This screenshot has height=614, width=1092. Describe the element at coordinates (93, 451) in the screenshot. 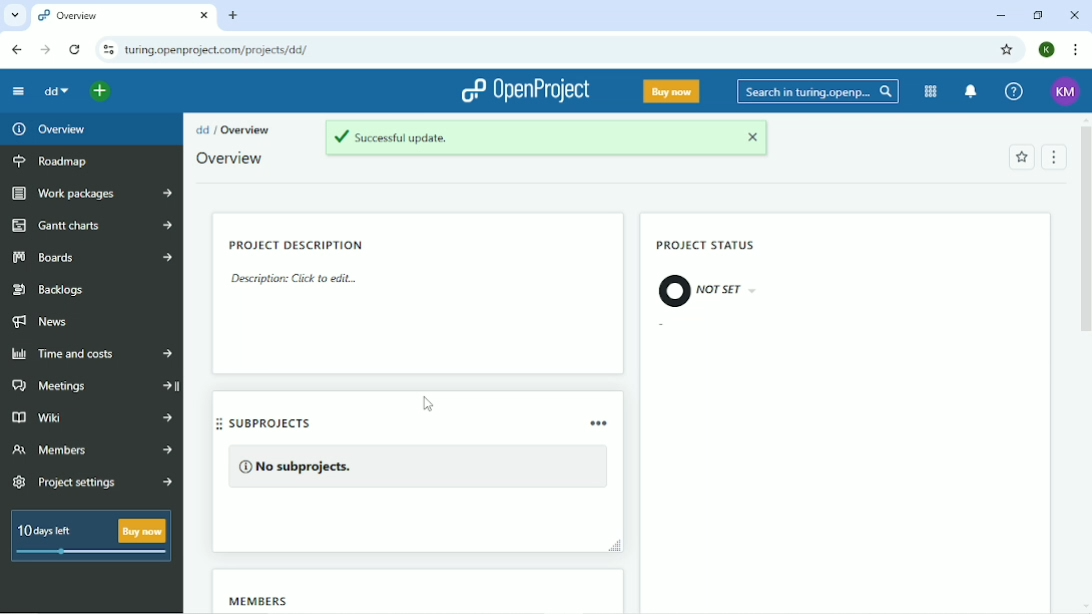

I see `Members` at that location.